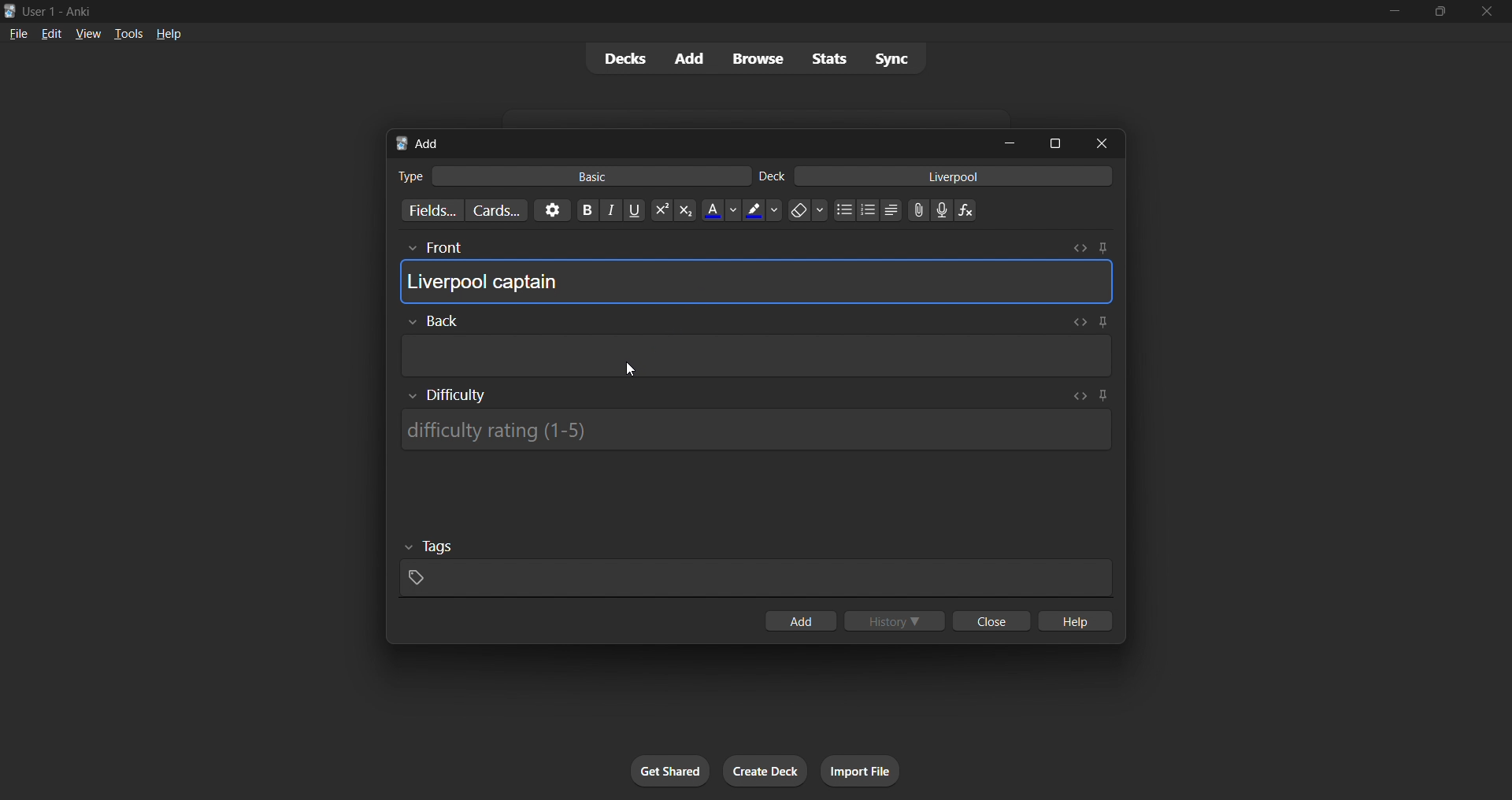 This screenshot has height=800, width=1512. Describe the element at coordinates (758, 58) in the screenshot. I see `browse` at that location.